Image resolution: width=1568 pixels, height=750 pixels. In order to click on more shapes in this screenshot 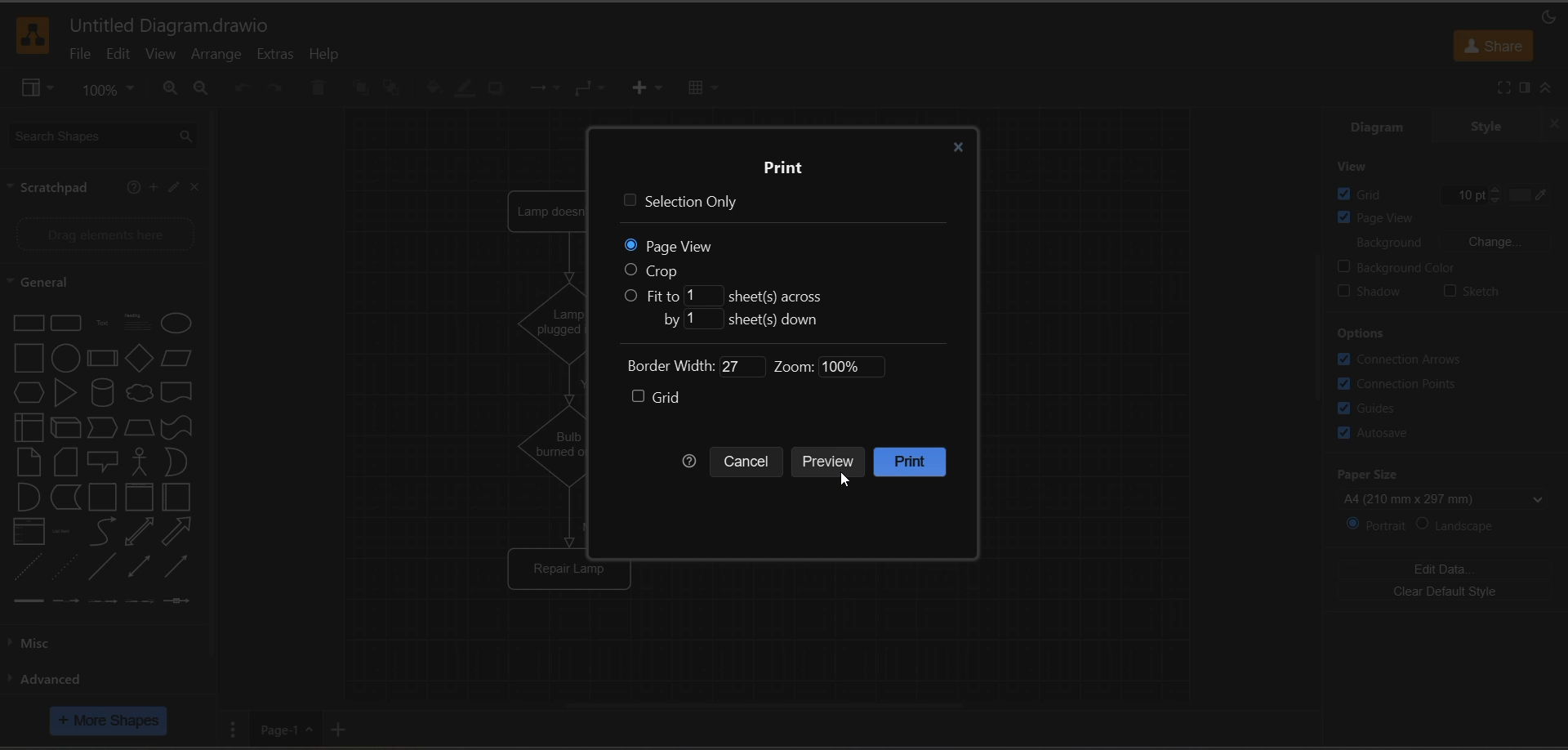, I will do `click(111, 721)`.